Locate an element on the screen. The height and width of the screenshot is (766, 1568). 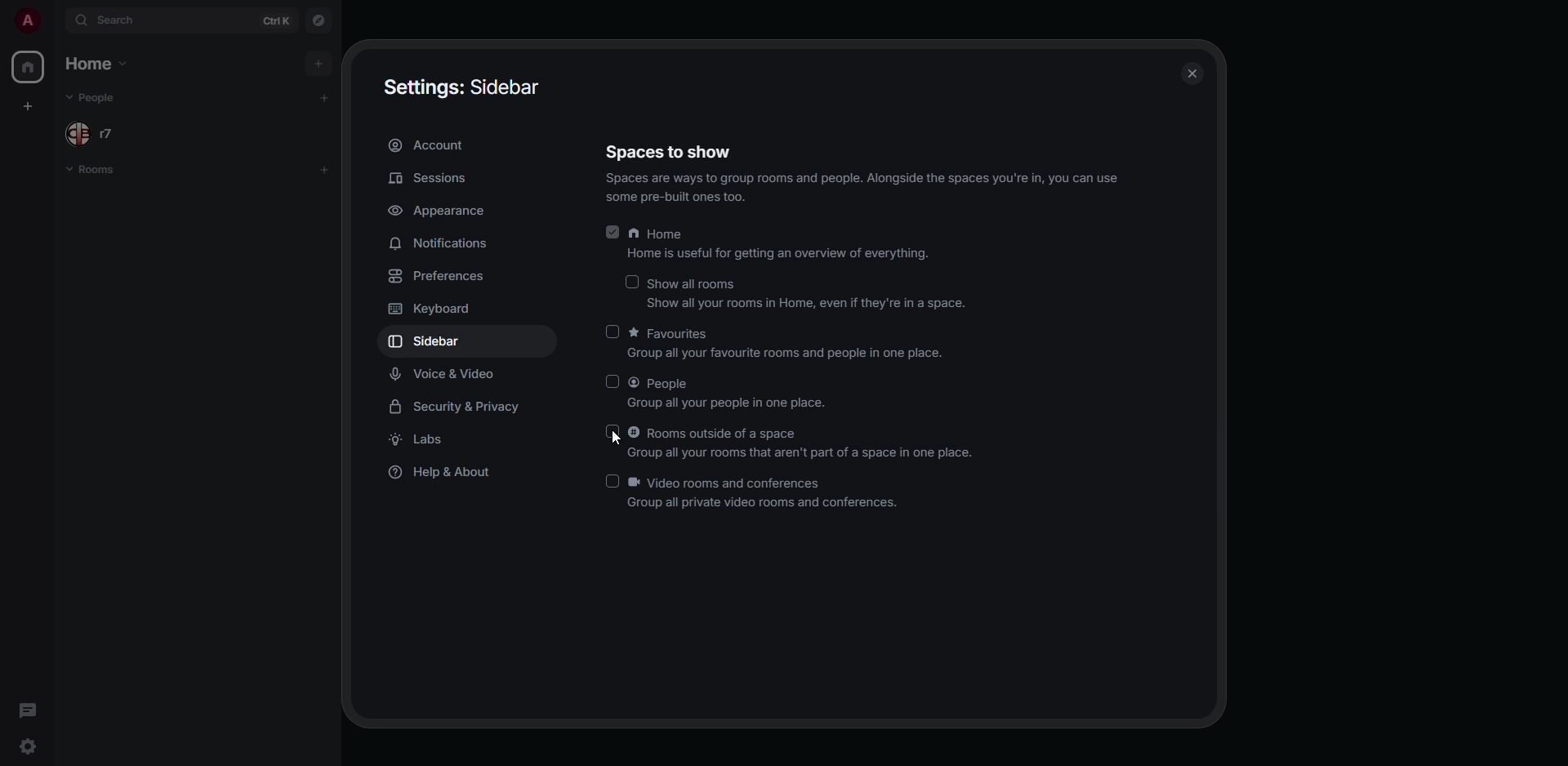
navigator is located at coordinates (321, 20).